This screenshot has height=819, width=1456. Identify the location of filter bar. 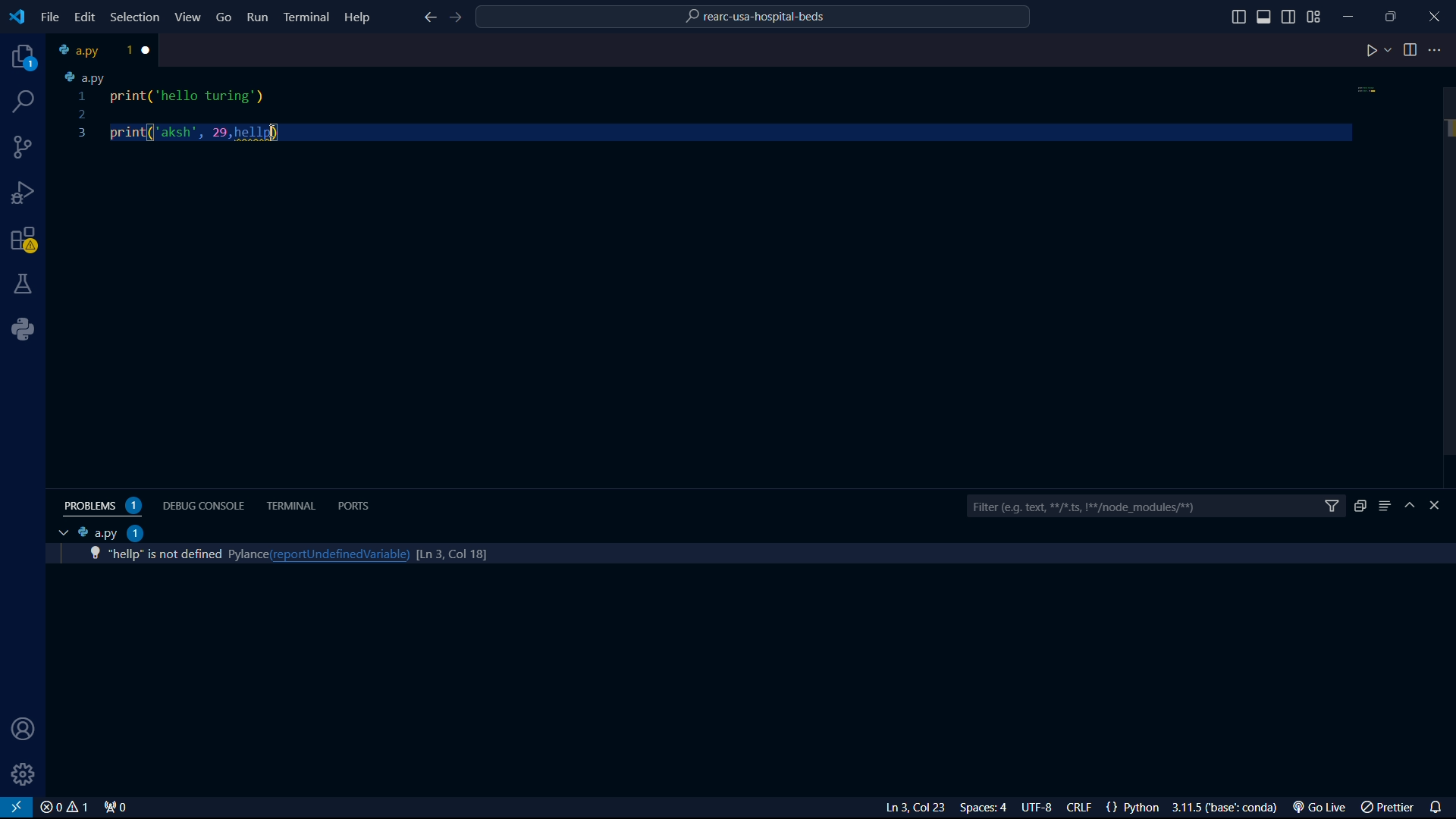
(1155, 507).